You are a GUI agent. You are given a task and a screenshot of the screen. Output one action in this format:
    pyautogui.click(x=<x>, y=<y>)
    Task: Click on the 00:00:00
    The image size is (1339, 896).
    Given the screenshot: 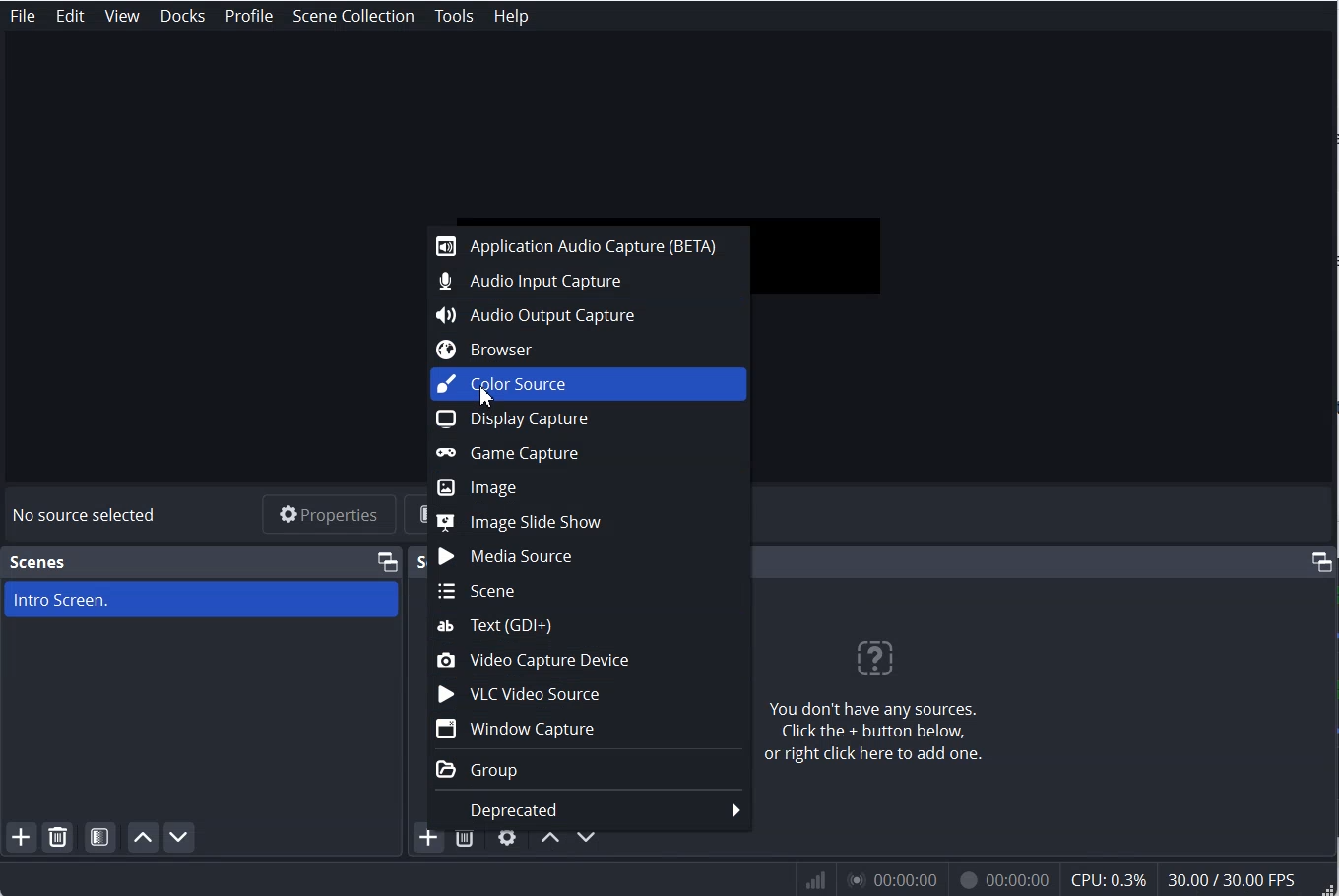 What is the action you would take?
    pyautogui.click(x=1000, y=882)
    